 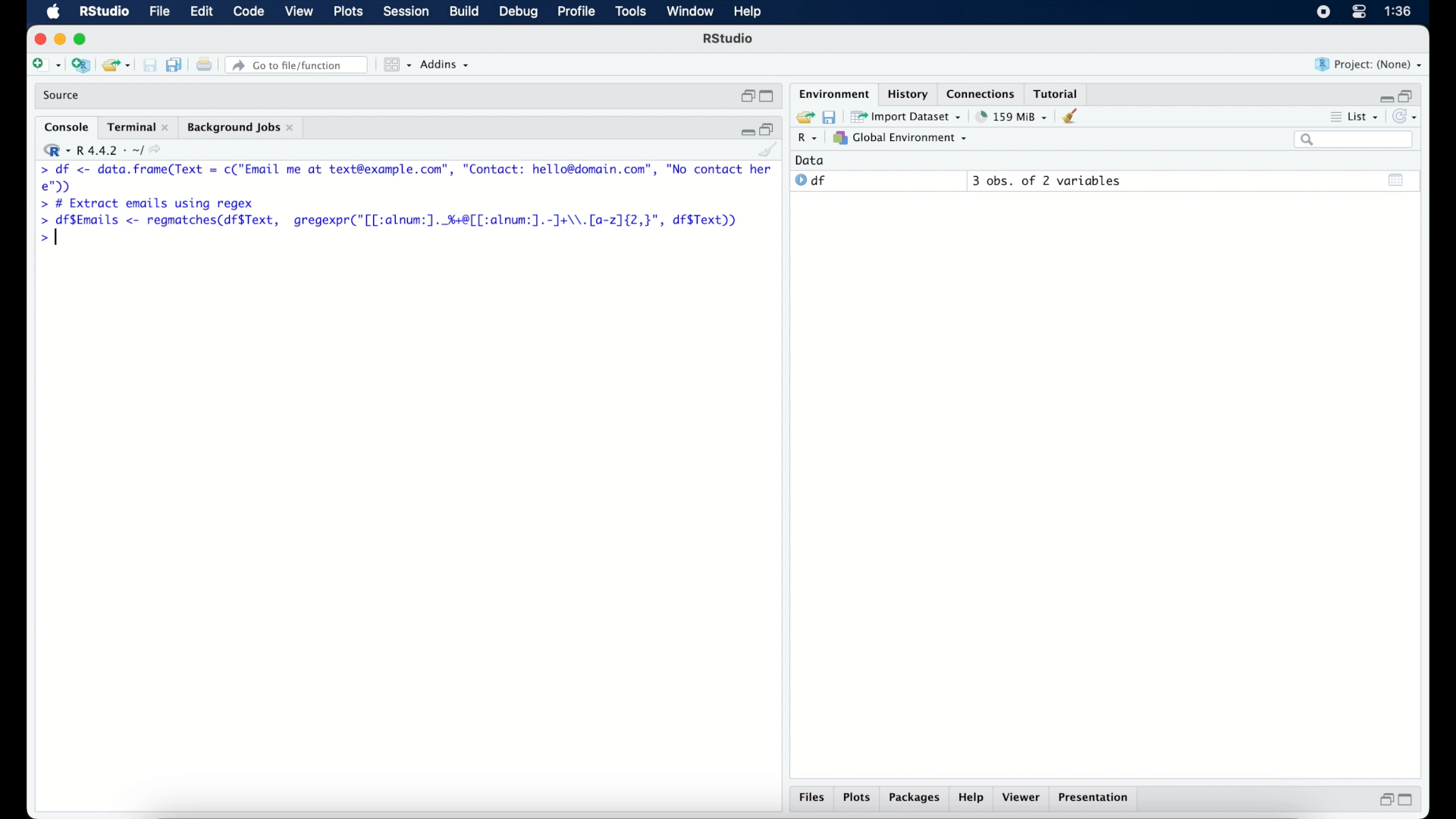 What do you see at coordinates (1385, 802) in the screenshot?
I see `restore down` at bounding box center [1385, 802].